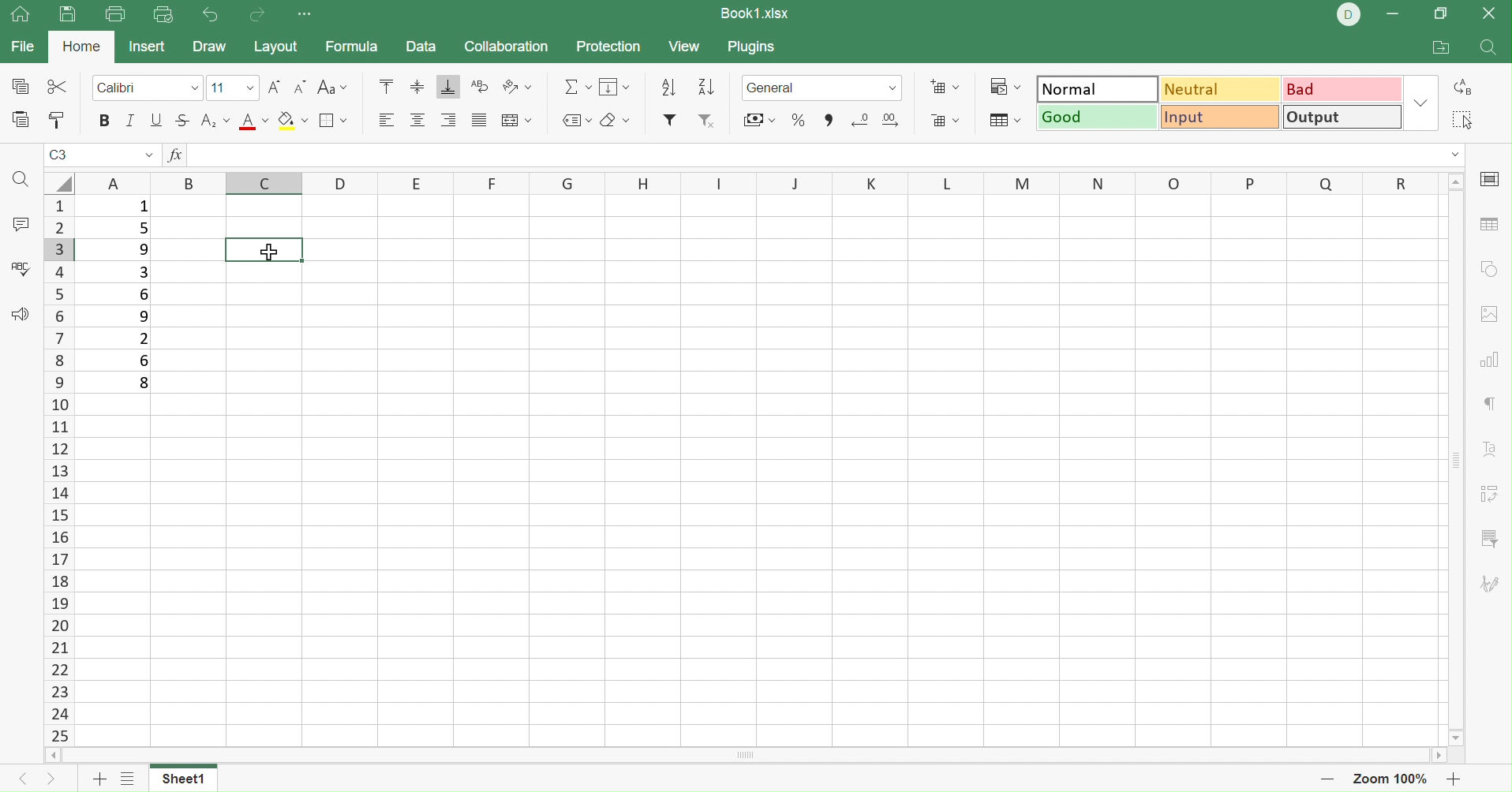 This screenshot has width=1512, height=792. Describe the element at coordinates (1491, 357) in the screenshot. I see `Chart settings` at that location.